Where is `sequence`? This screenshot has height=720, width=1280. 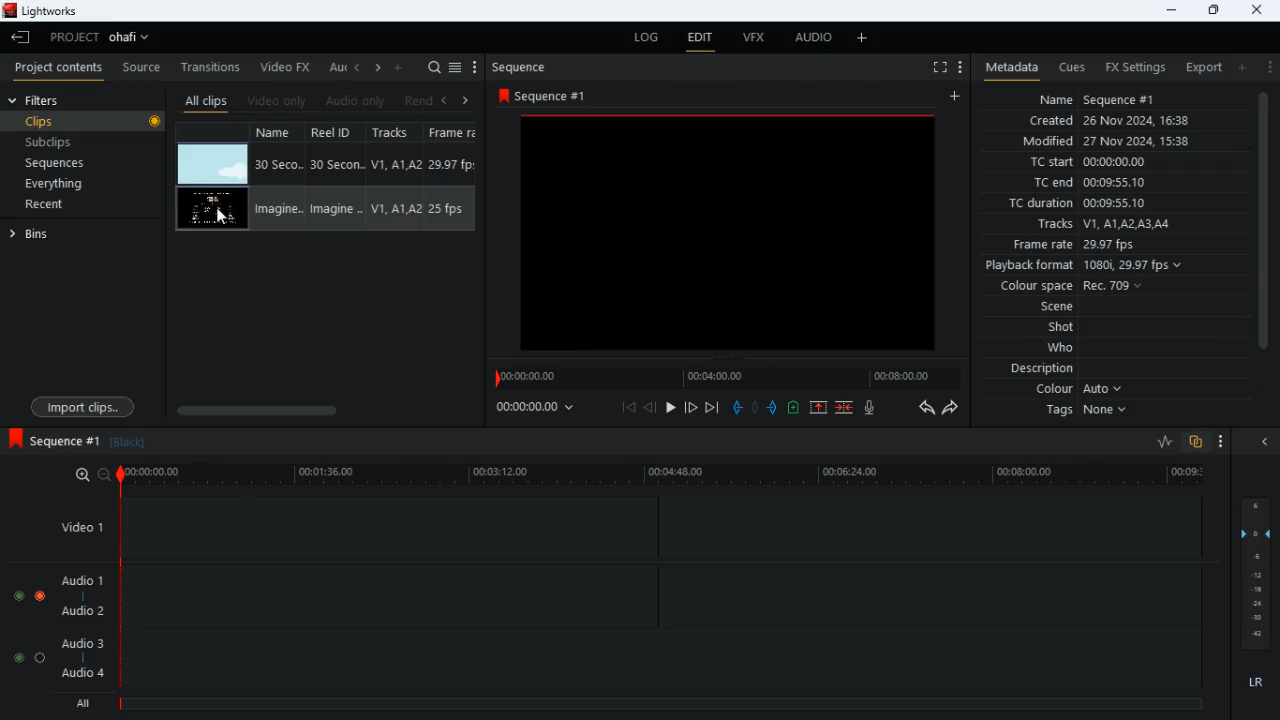 sequence is located at coordinates (522, 65).